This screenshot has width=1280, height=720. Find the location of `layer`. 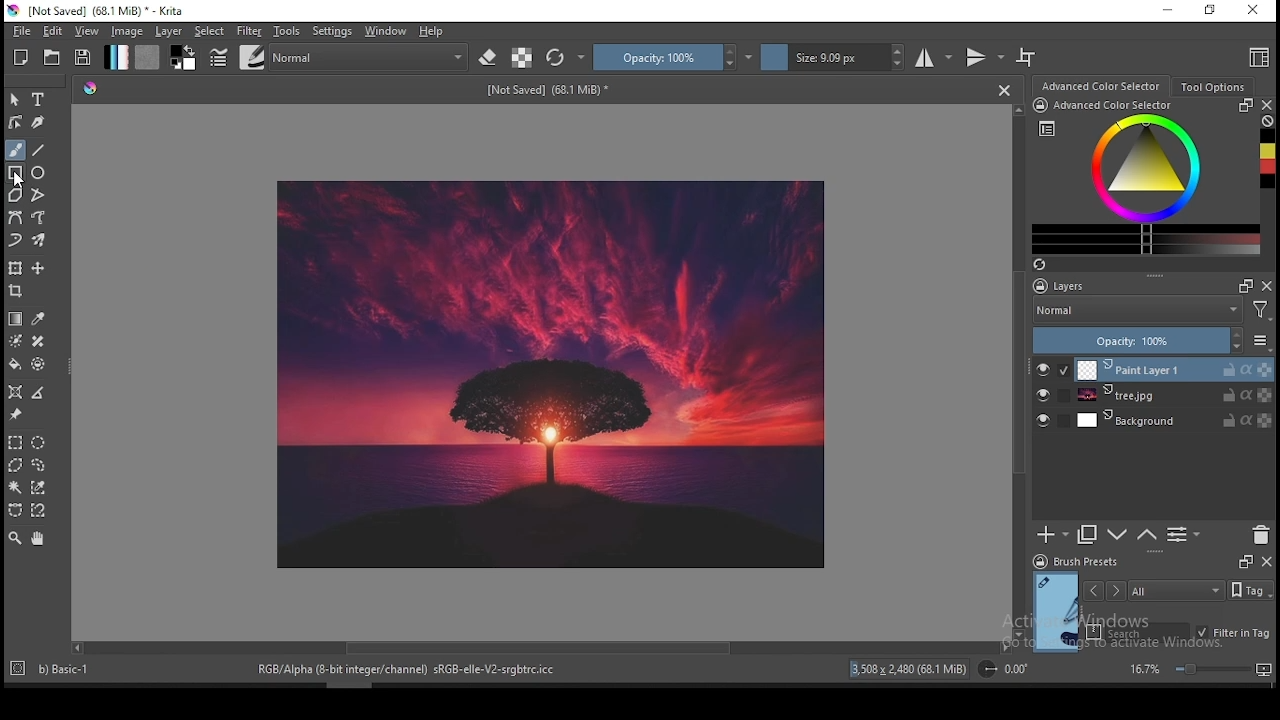

layer is located at coordinates (1175, 421).